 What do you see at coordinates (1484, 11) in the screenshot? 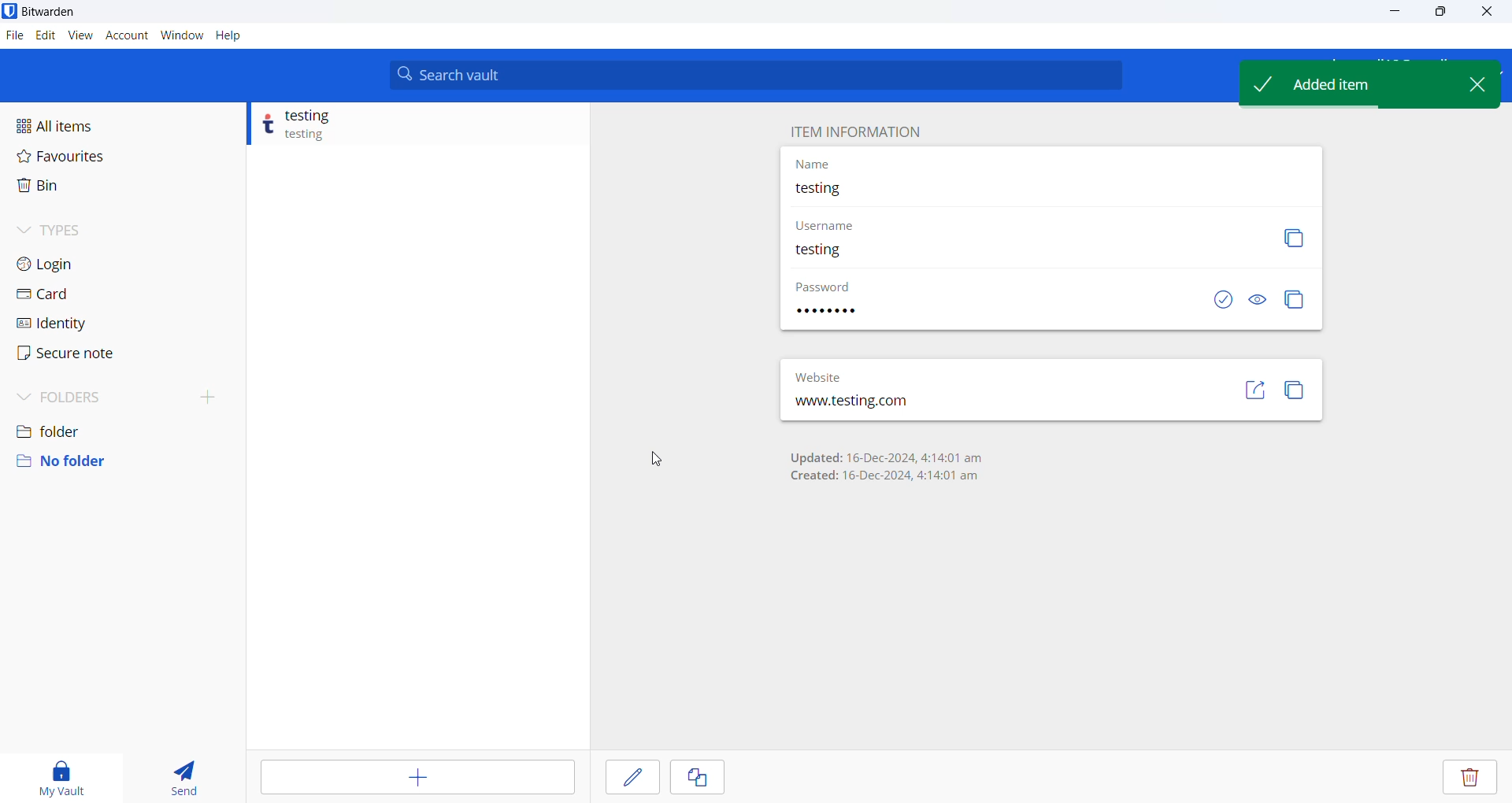
I see `close` at bounding box center [1484, 11].